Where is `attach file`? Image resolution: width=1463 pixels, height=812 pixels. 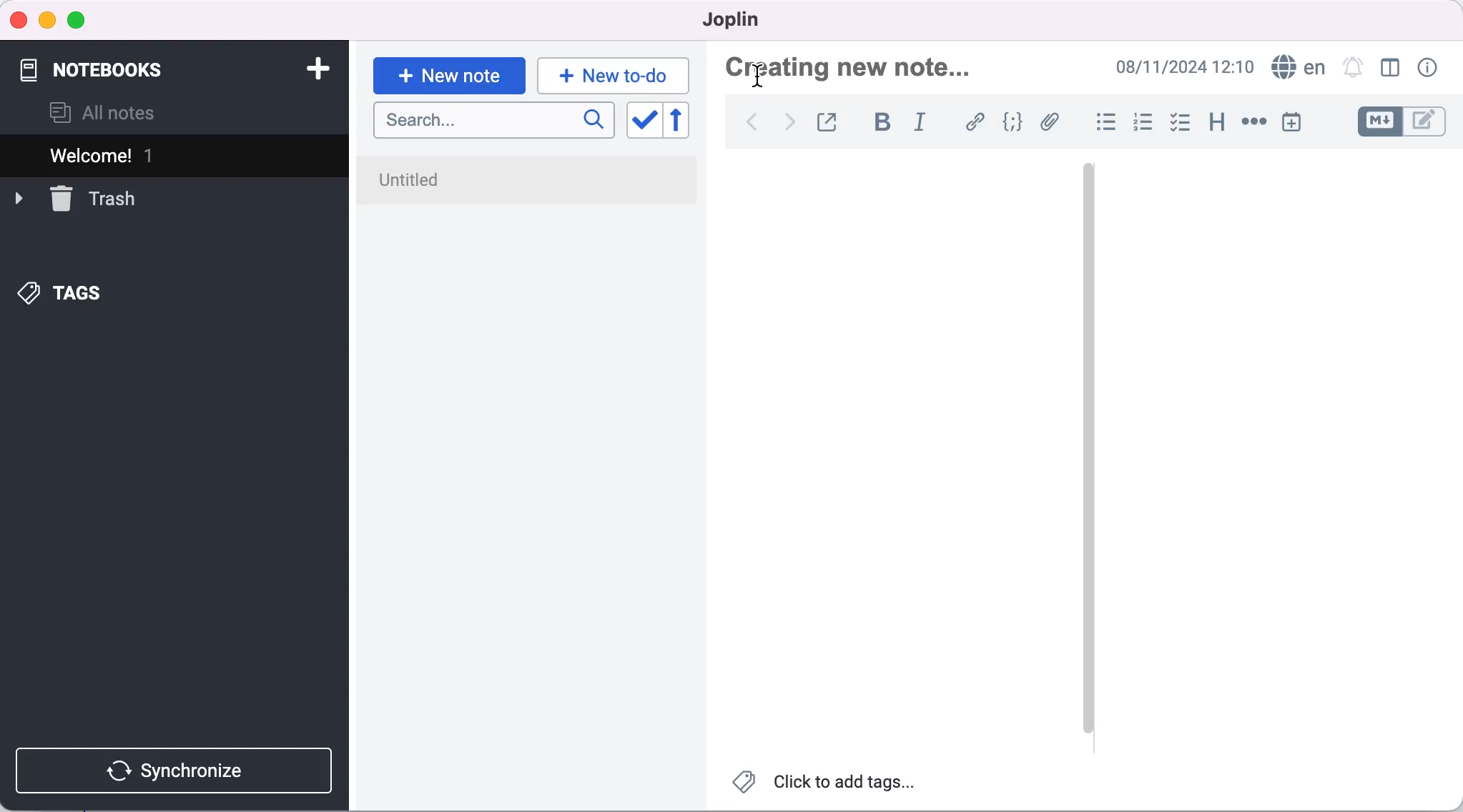 attach file is located at coordinates (1049, 122).